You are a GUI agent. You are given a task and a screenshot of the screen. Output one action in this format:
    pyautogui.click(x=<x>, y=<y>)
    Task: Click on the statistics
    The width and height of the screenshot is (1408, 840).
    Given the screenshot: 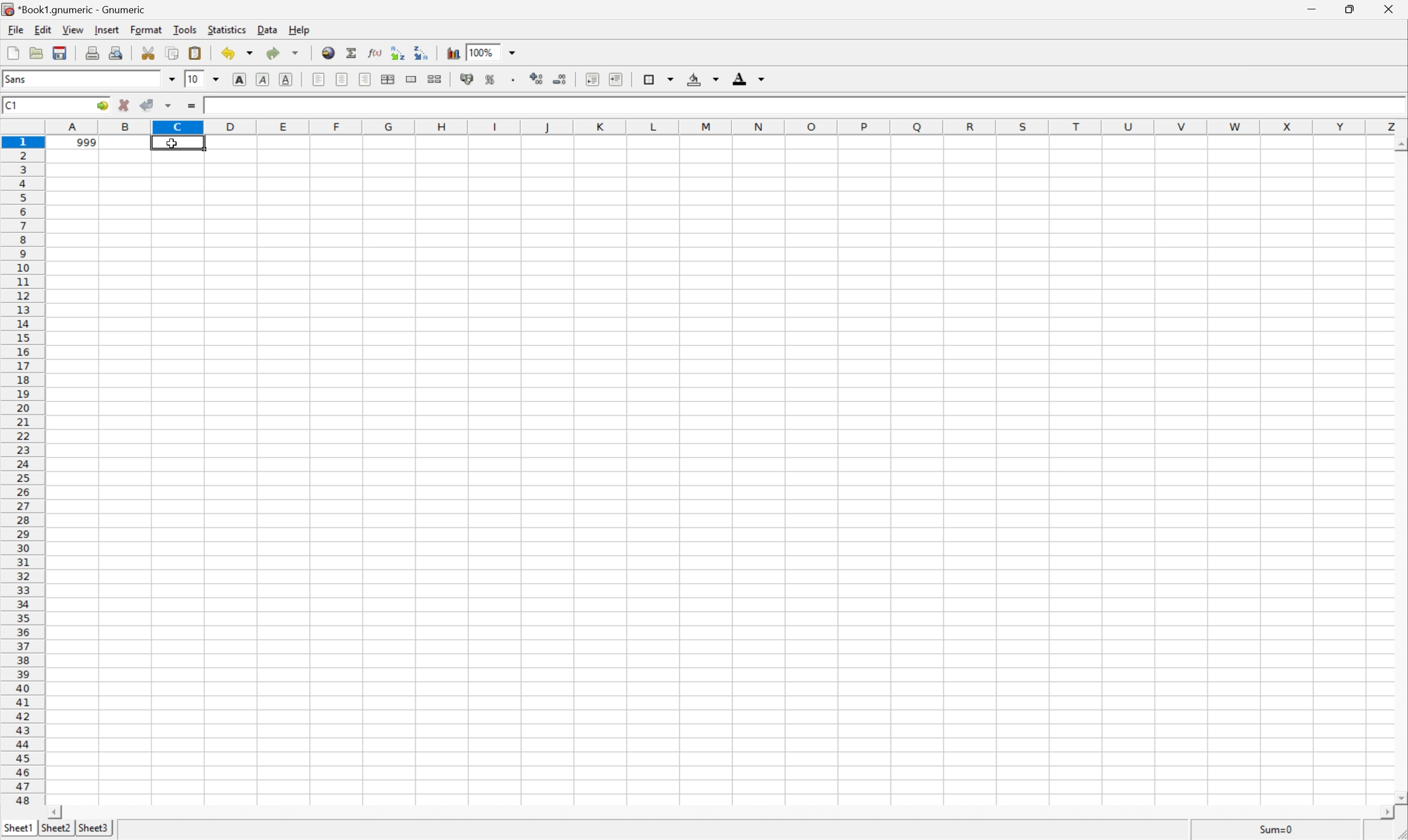 What is the action you would take?
    pyautogui.click(x=229, y=29)
    